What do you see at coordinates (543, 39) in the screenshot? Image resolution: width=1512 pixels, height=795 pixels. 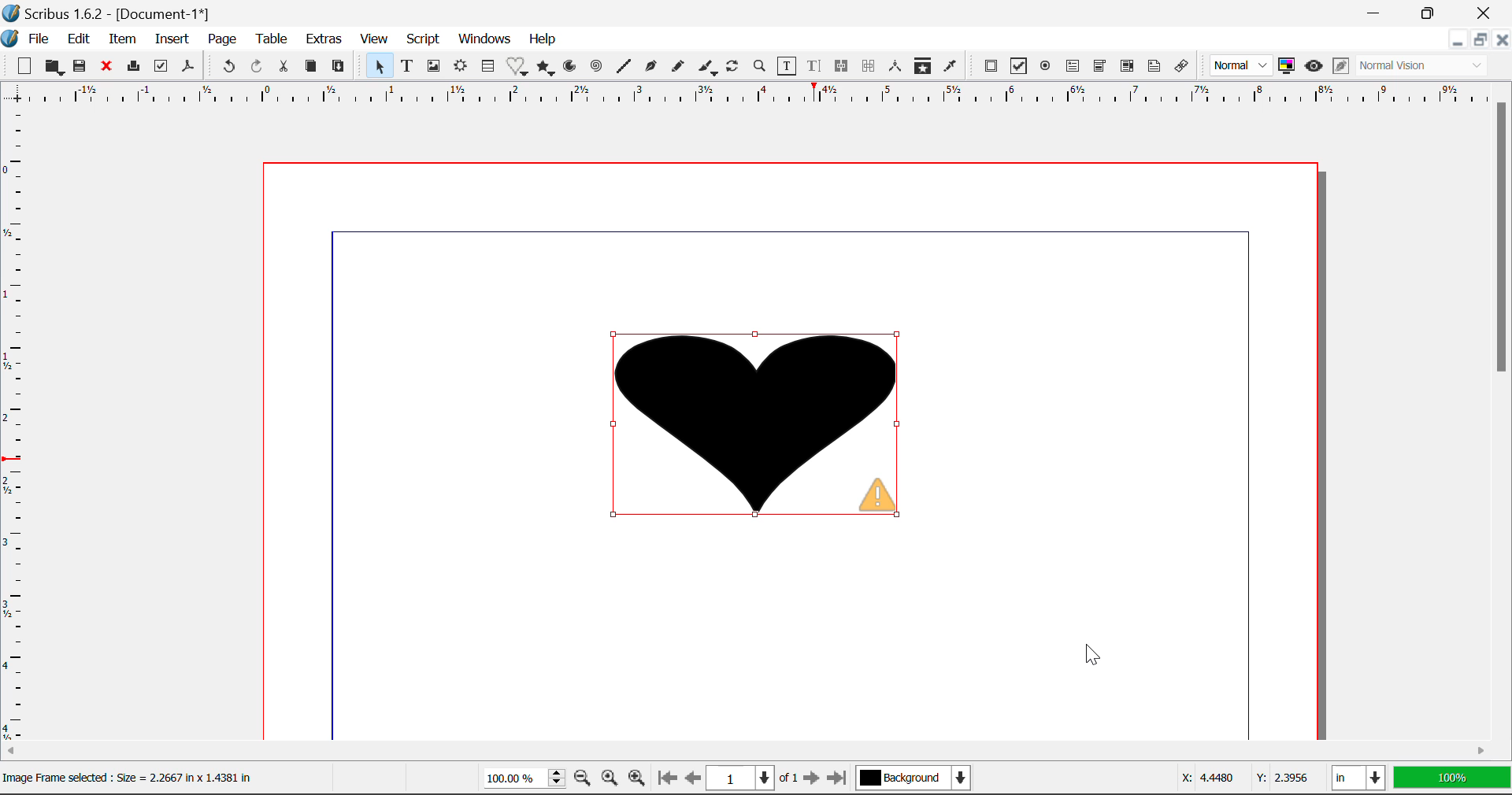 I see `Help` at bounding box center [543, 39].